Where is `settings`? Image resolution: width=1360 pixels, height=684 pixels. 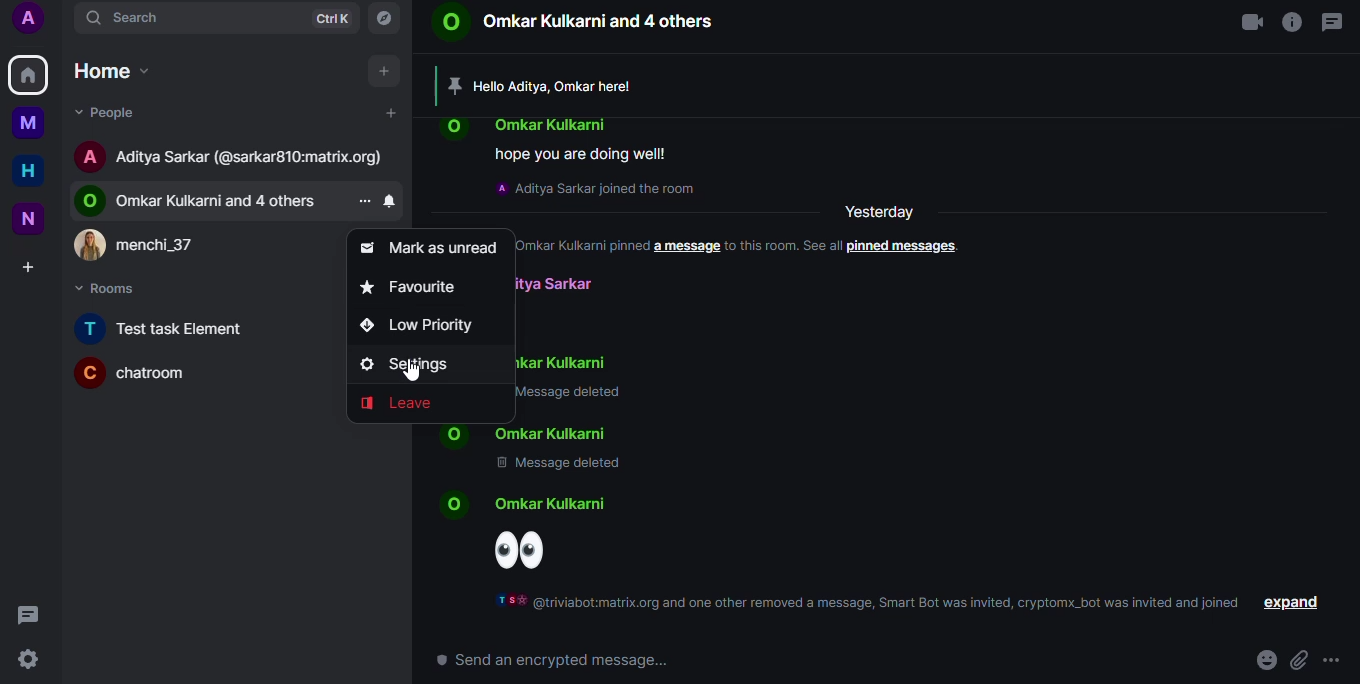 settings is located at coordinates (414, 365).